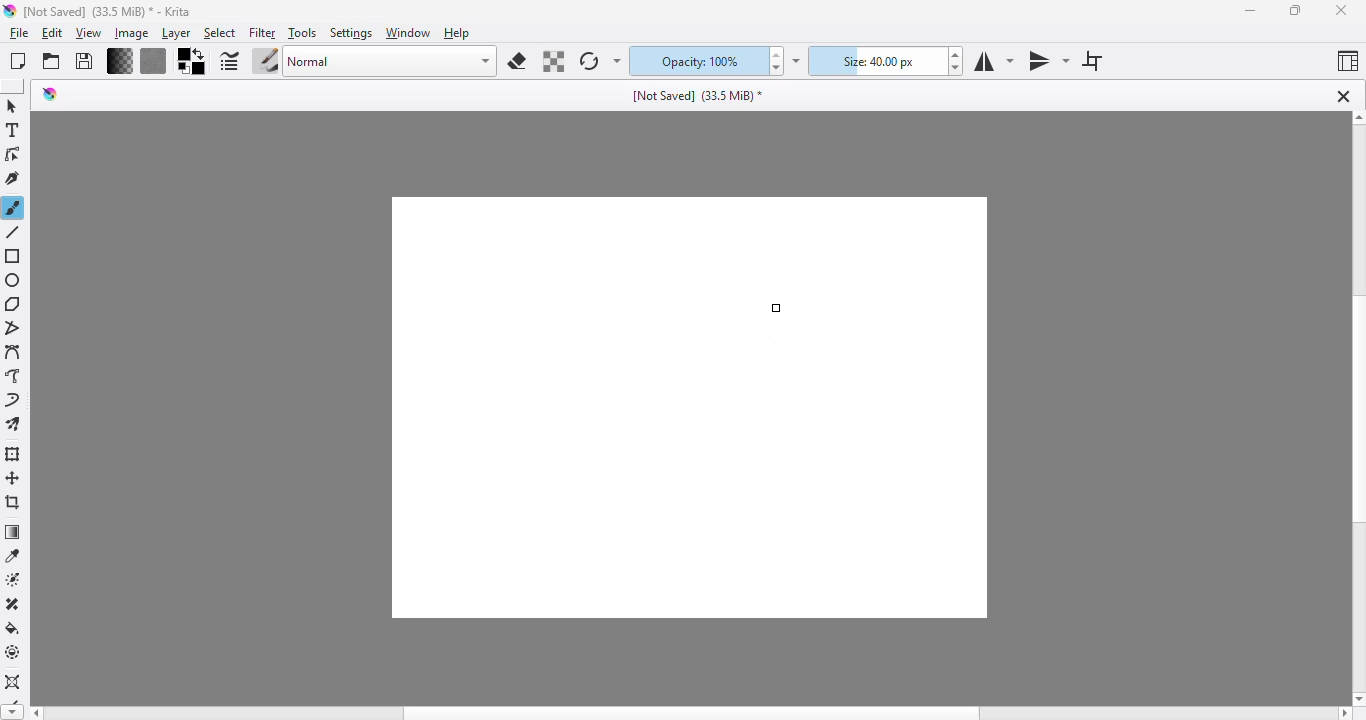  Describe the element at coordinates (1357, 696) in the screenshot. I see `Scroll Down` at that location.